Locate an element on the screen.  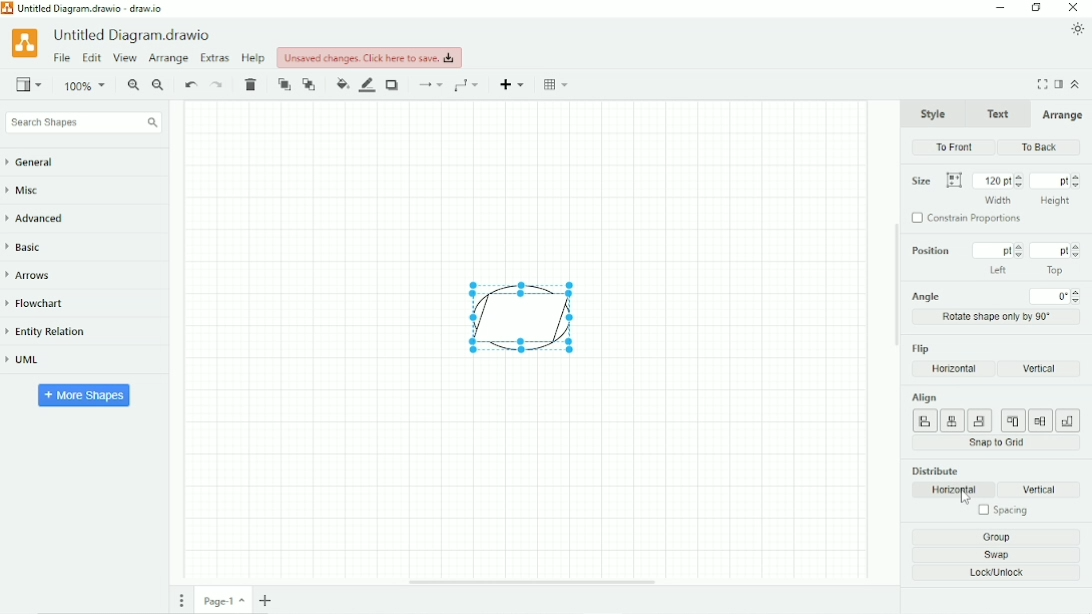
To back is located at coordinates (1036, 147).